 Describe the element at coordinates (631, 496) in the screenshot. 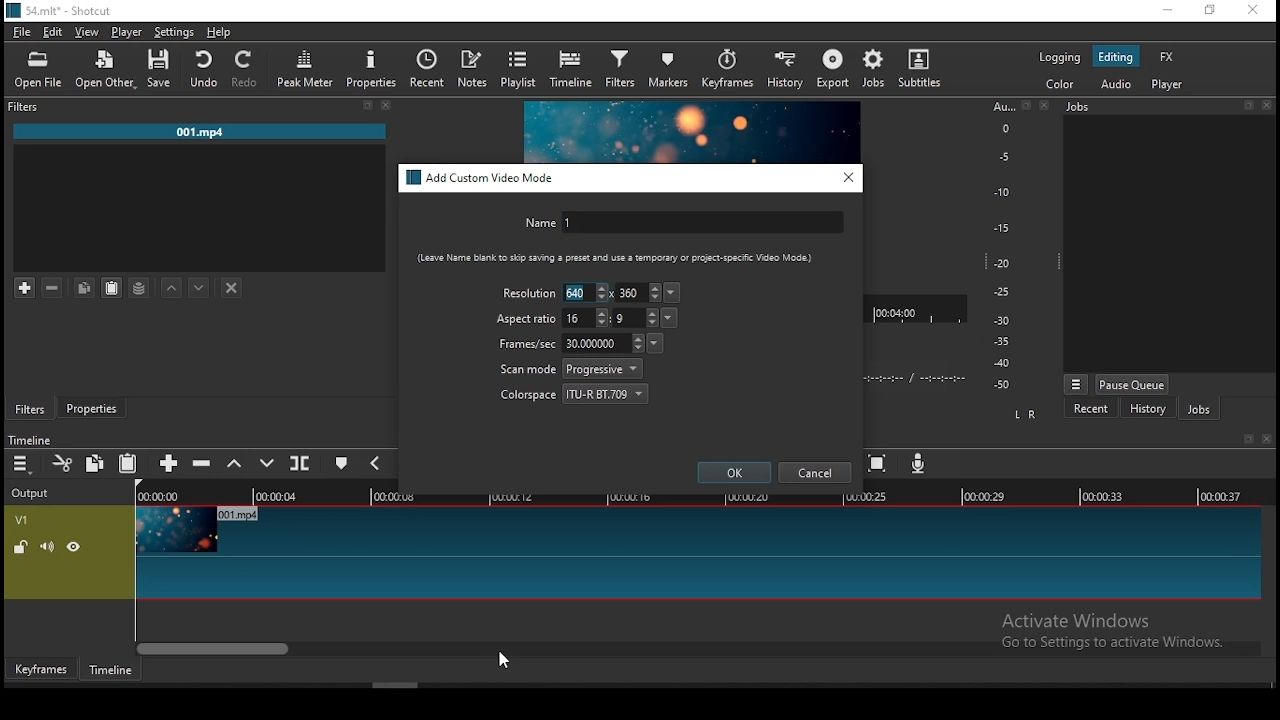

I see `00:00:16` at that location.